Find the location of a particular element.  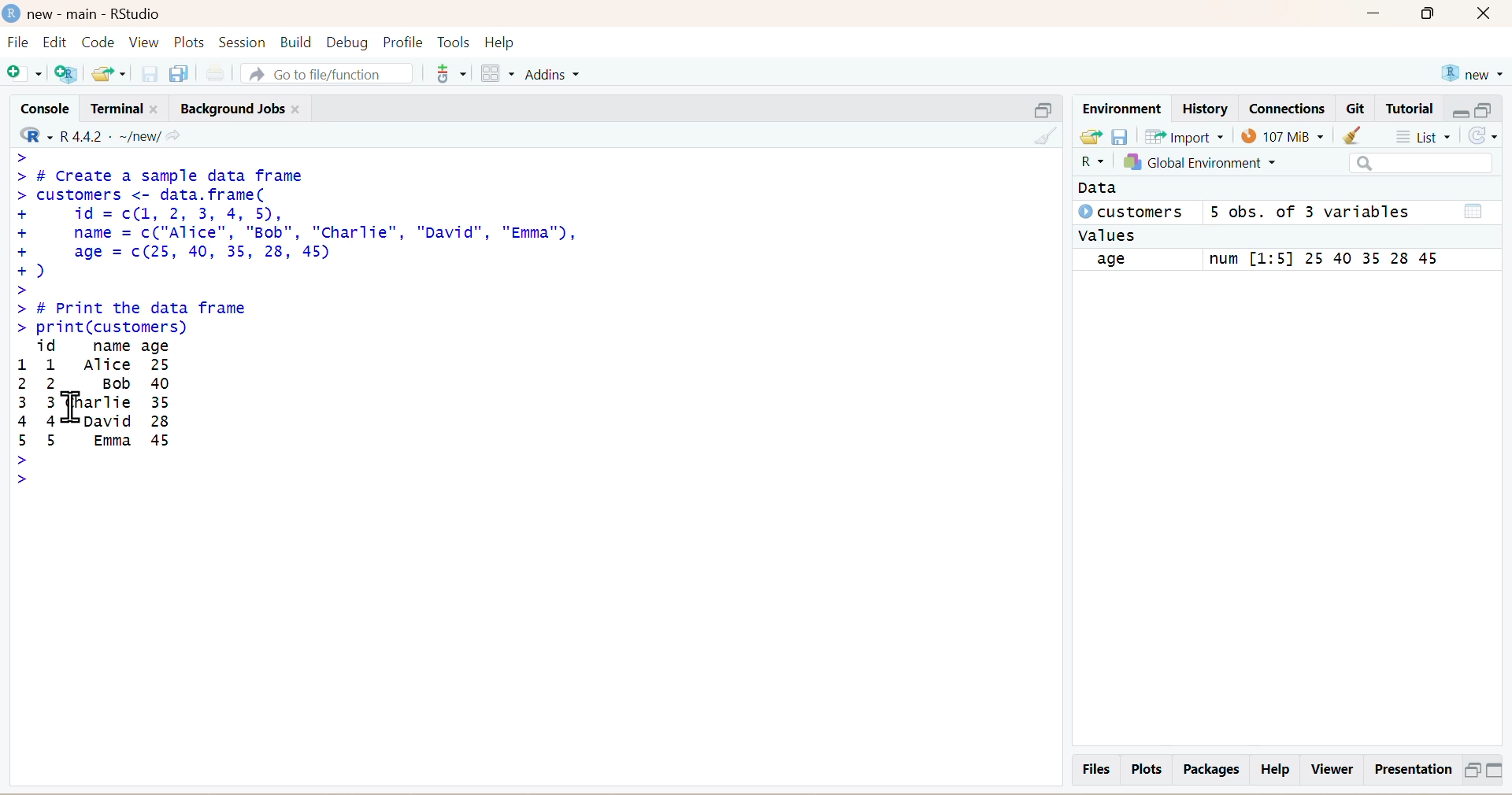

Profile is located at coordinates (401, 42).